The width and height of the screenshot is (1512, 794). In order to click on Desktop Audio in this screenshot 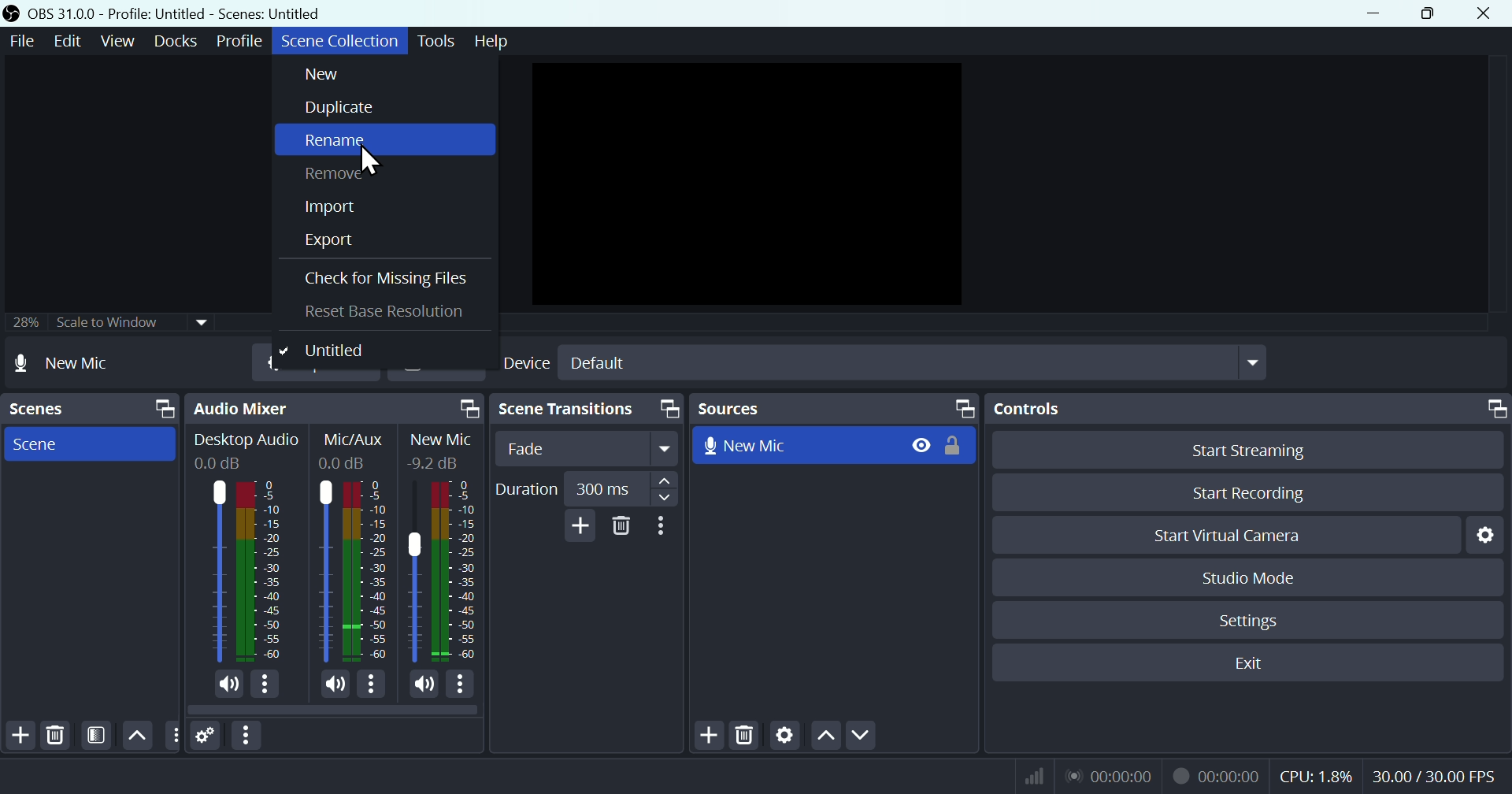, I will do `click(263, 572)`.